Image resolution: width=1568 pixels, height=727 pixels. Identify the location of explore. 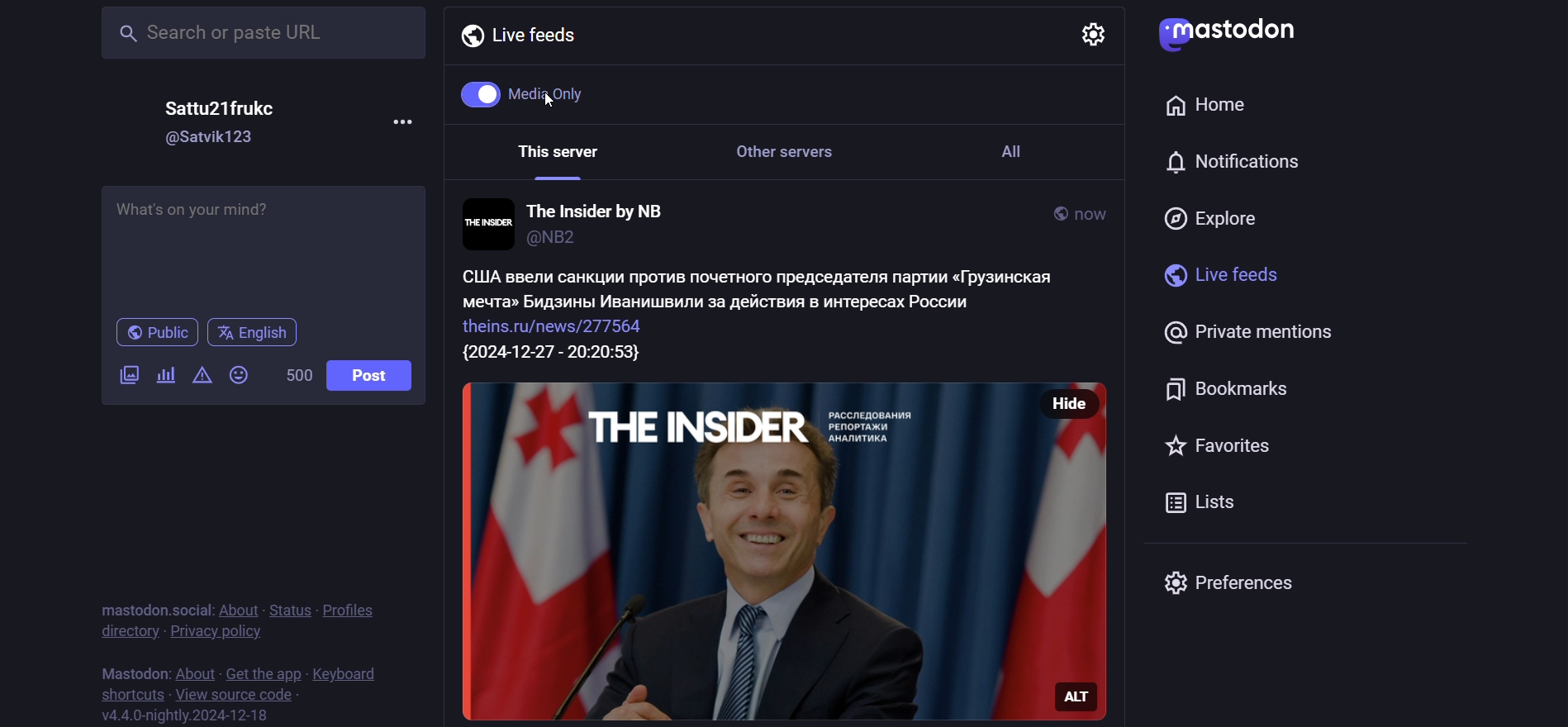
(1218, 214).